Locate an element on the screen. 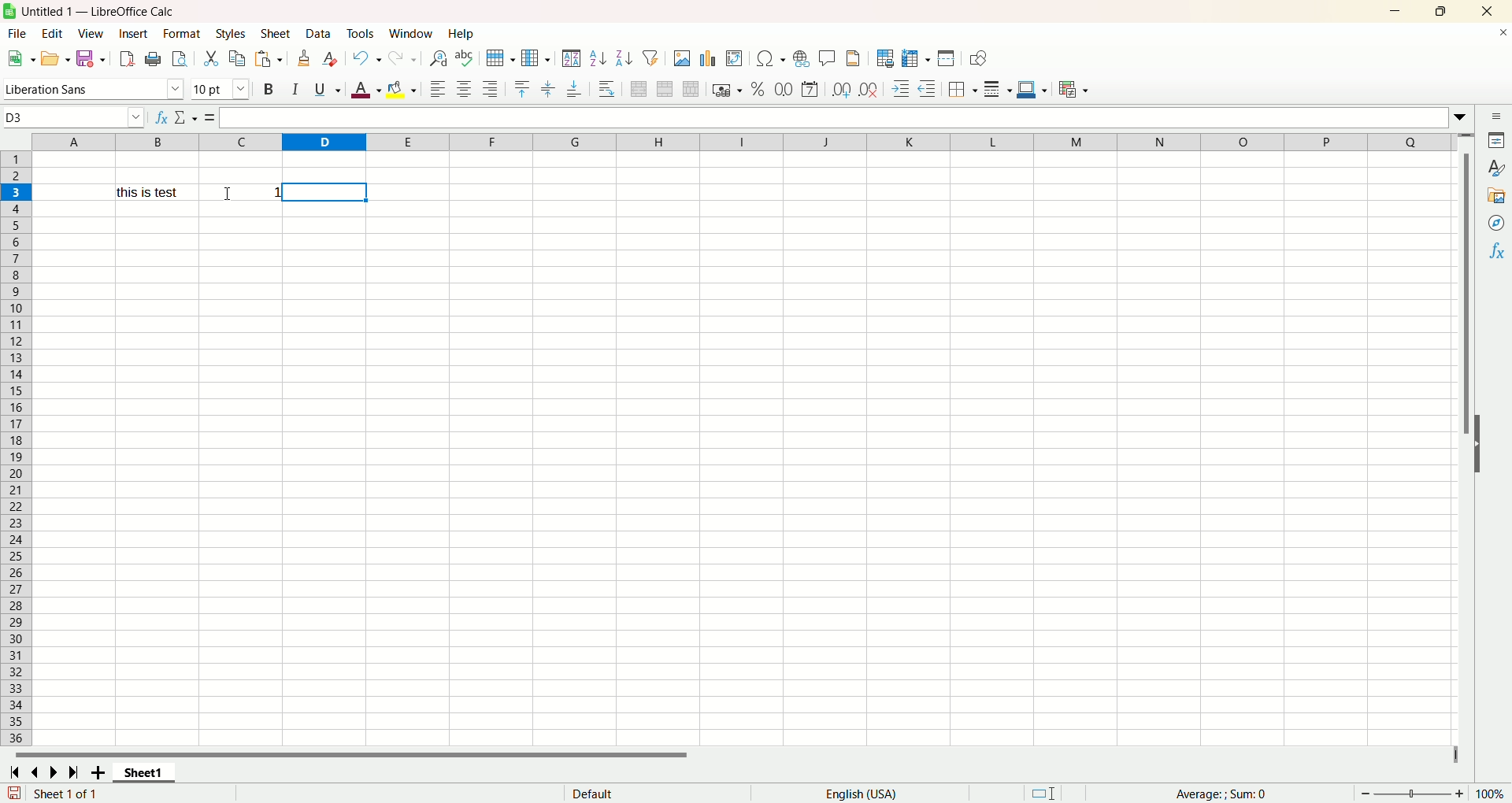 The width and height of the screenshot is (1512, 803). define print area is located at coordinates (884, 58).